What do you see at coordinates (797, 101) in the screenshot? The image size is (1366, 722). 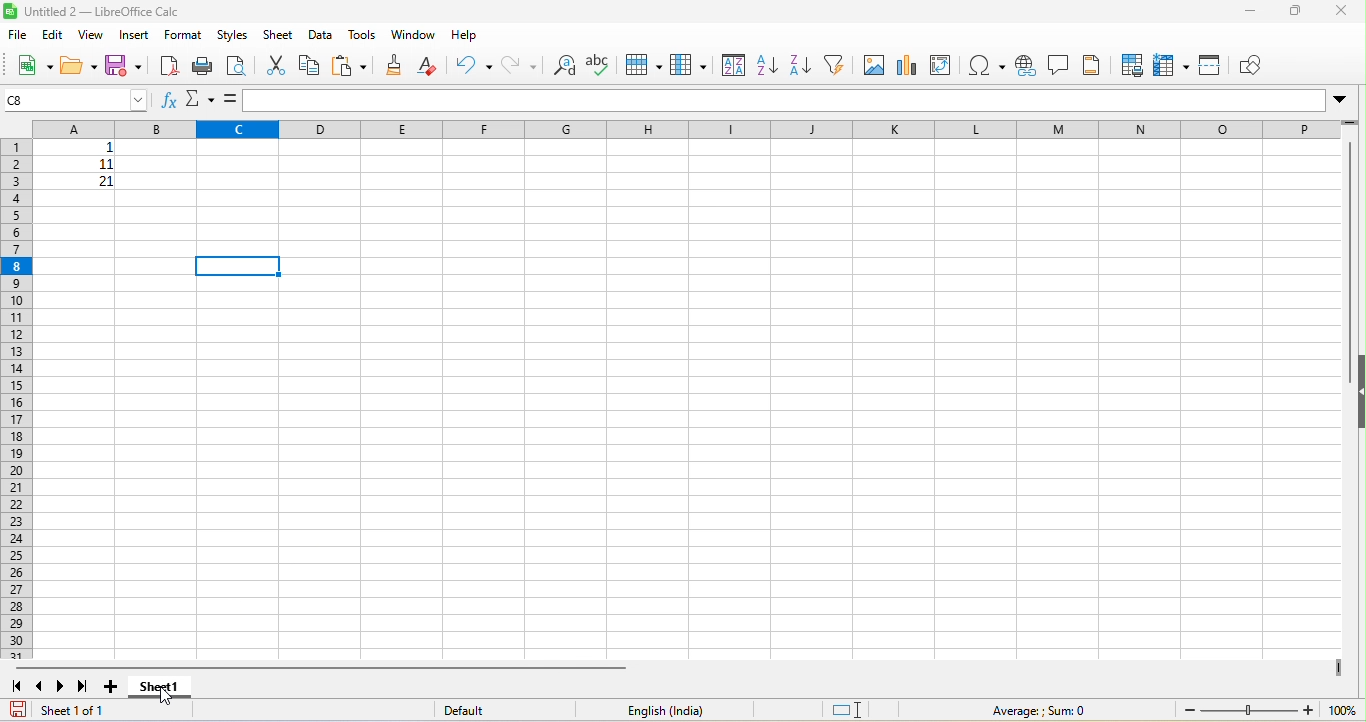 I see `formula bar` at bounding box center [797, 101].